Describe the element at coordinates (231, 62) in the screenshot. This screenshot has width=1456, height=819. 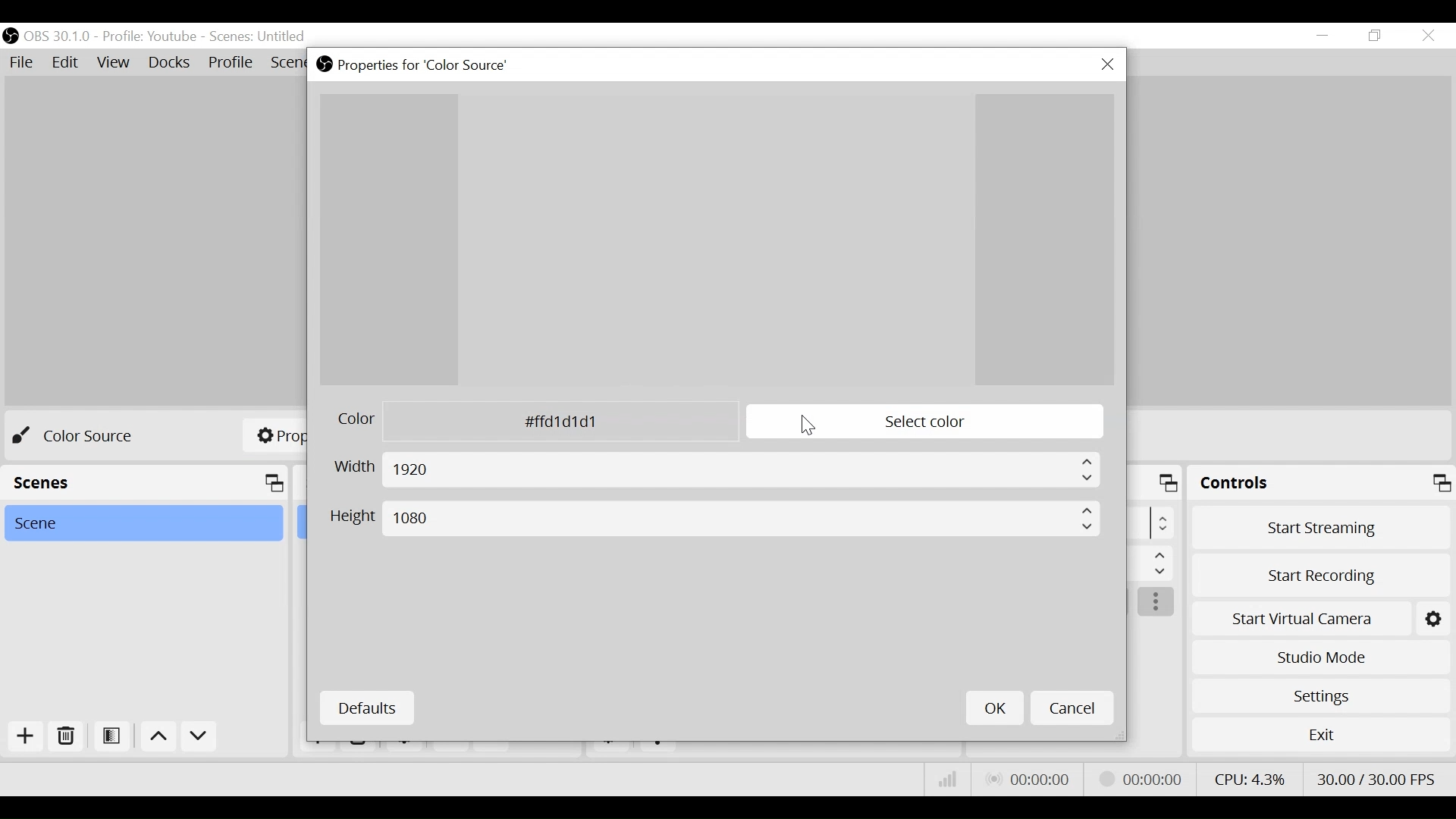
I see `Profile` at that location.